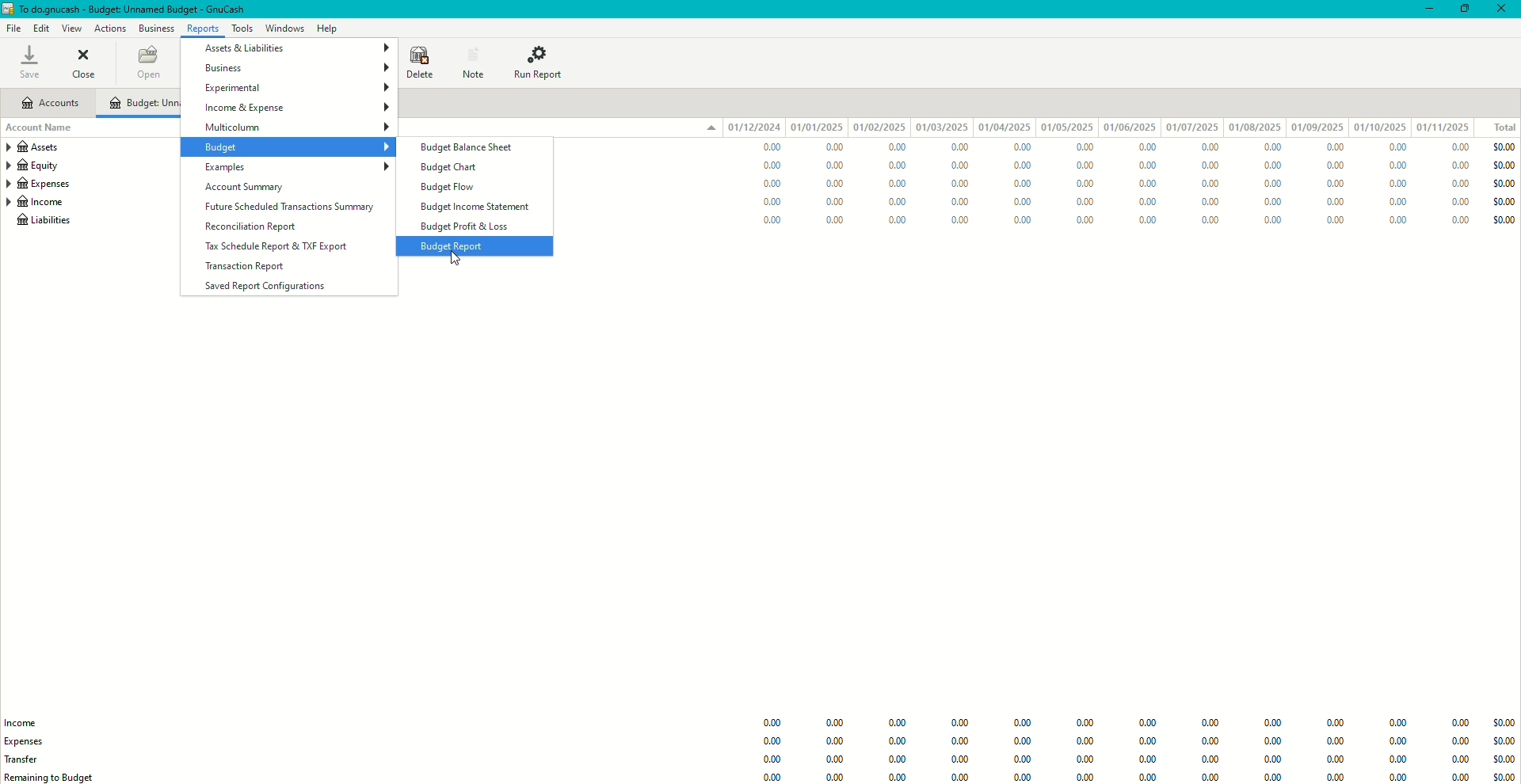 This screenshot has height=784, width=1521. What do you see at coordinates (1397, 165) in the screenshot?
I see `0.00` at bounding box center [1397, 165].